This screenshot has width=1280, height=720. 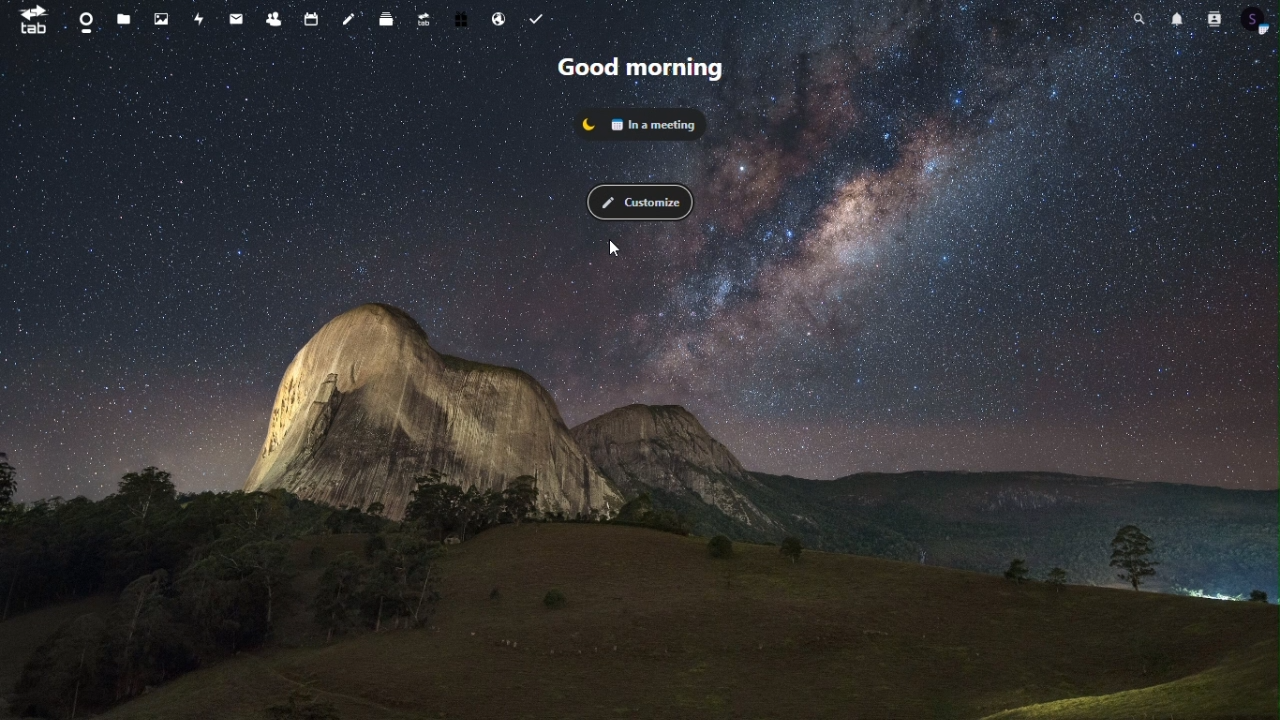 What do you see at coordinates (84, 20) in the screenshot?
I see `dashboard` at bounding box center [84, 20].